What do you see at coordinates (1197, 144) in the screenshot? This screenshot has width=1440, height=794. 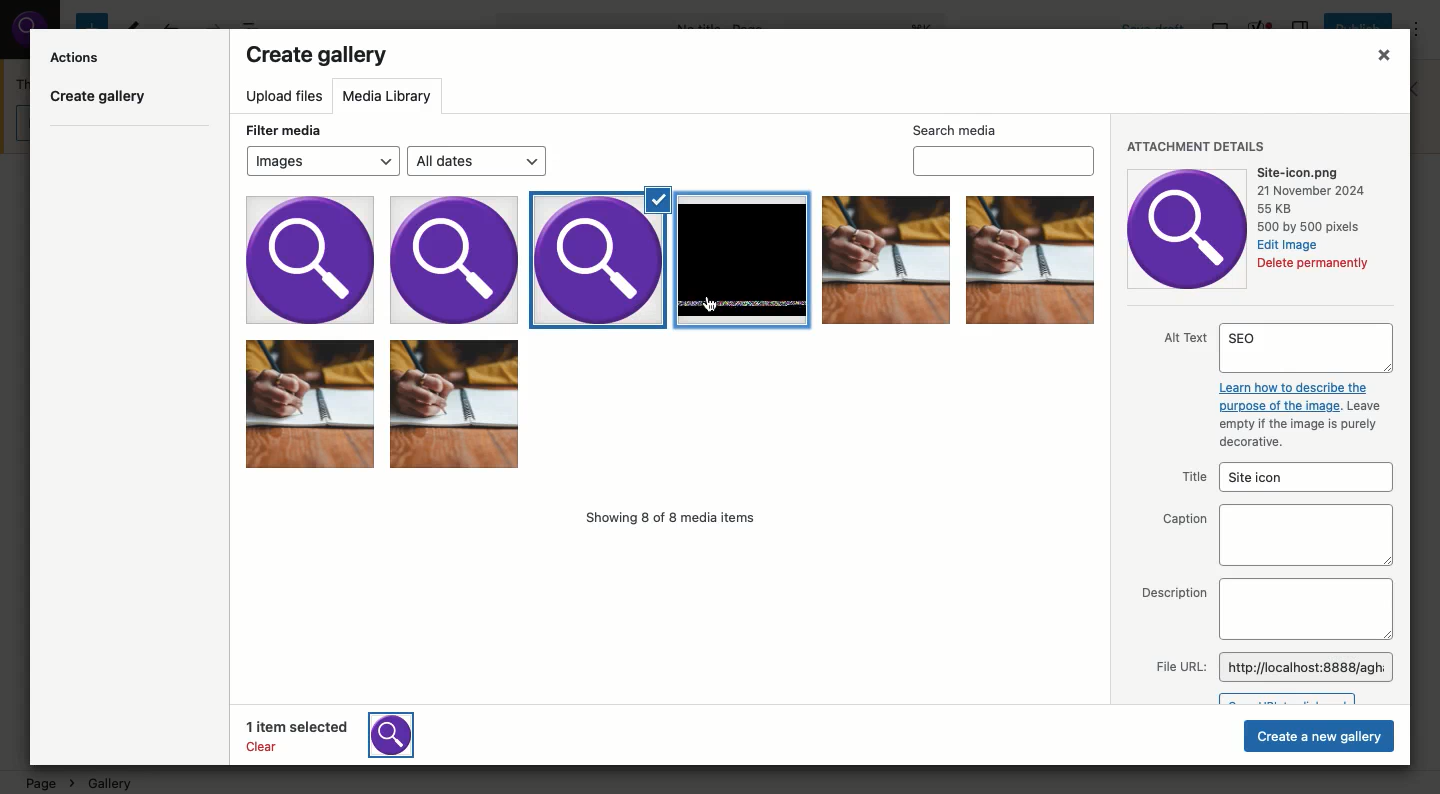 I see `Attachment details` at bounding box center [1197, 144].